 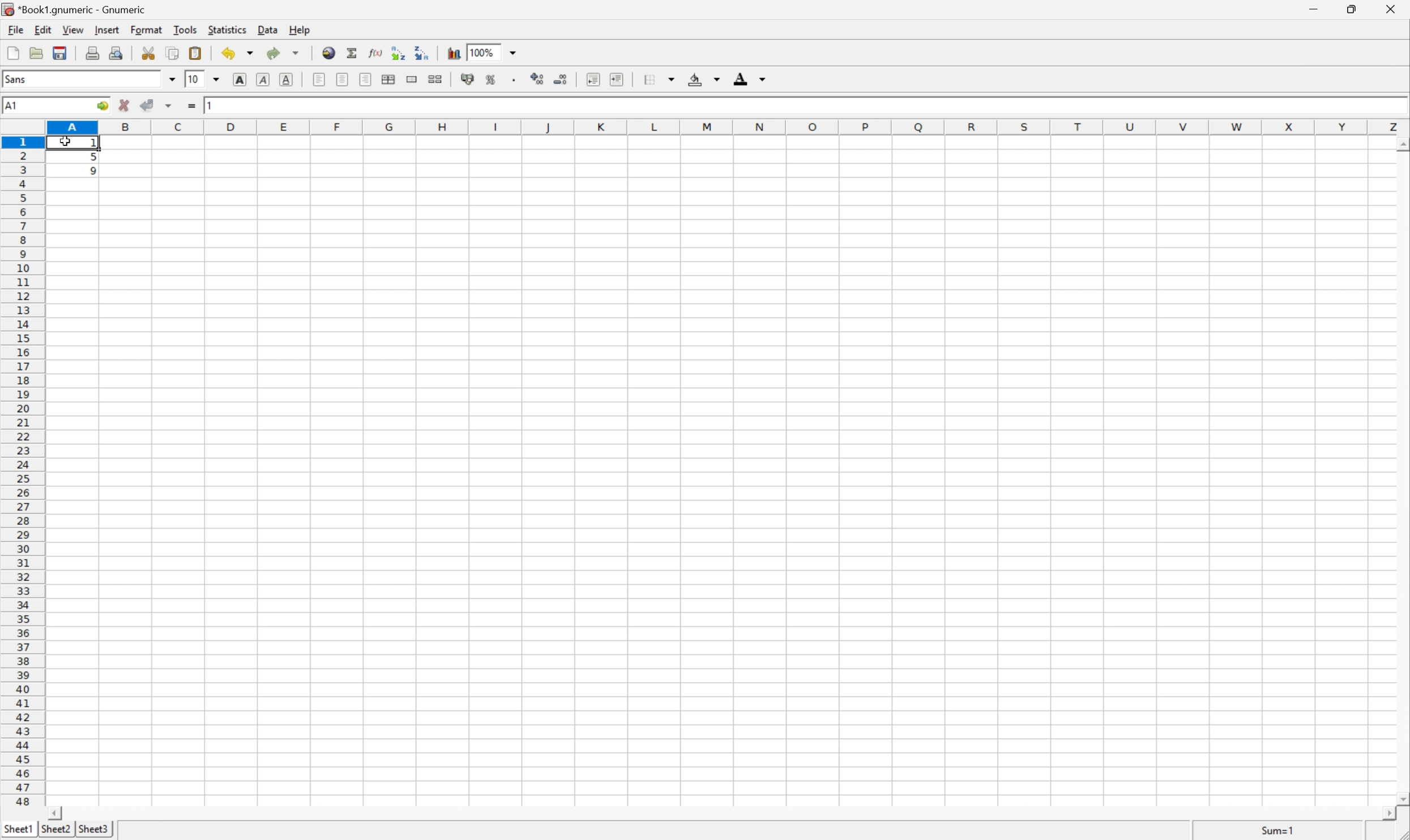 I want to click on statistics, so click(x=226, y=29).